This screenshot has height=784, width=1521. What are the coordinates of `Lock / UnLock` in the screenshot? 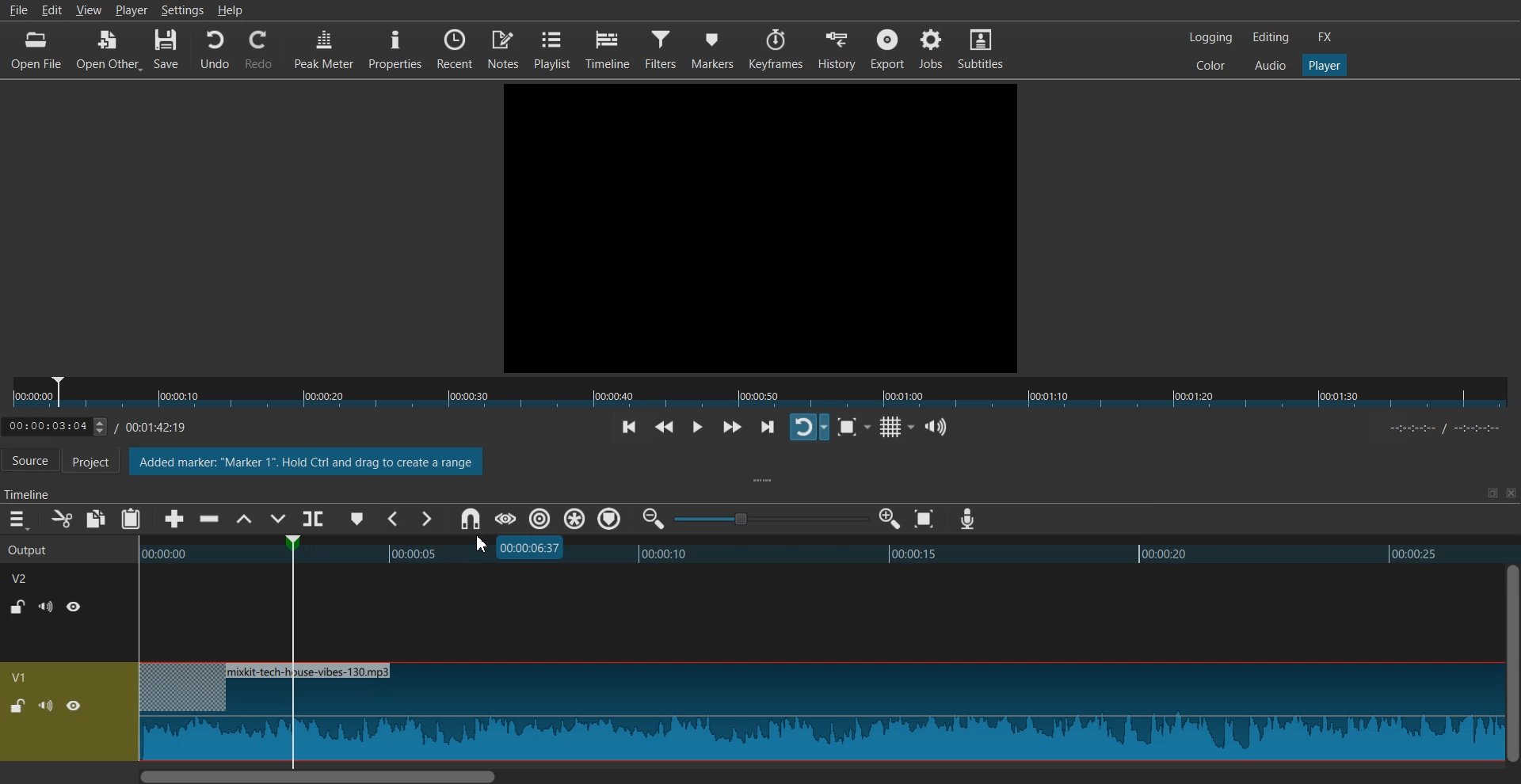 It's located at (17, 706).